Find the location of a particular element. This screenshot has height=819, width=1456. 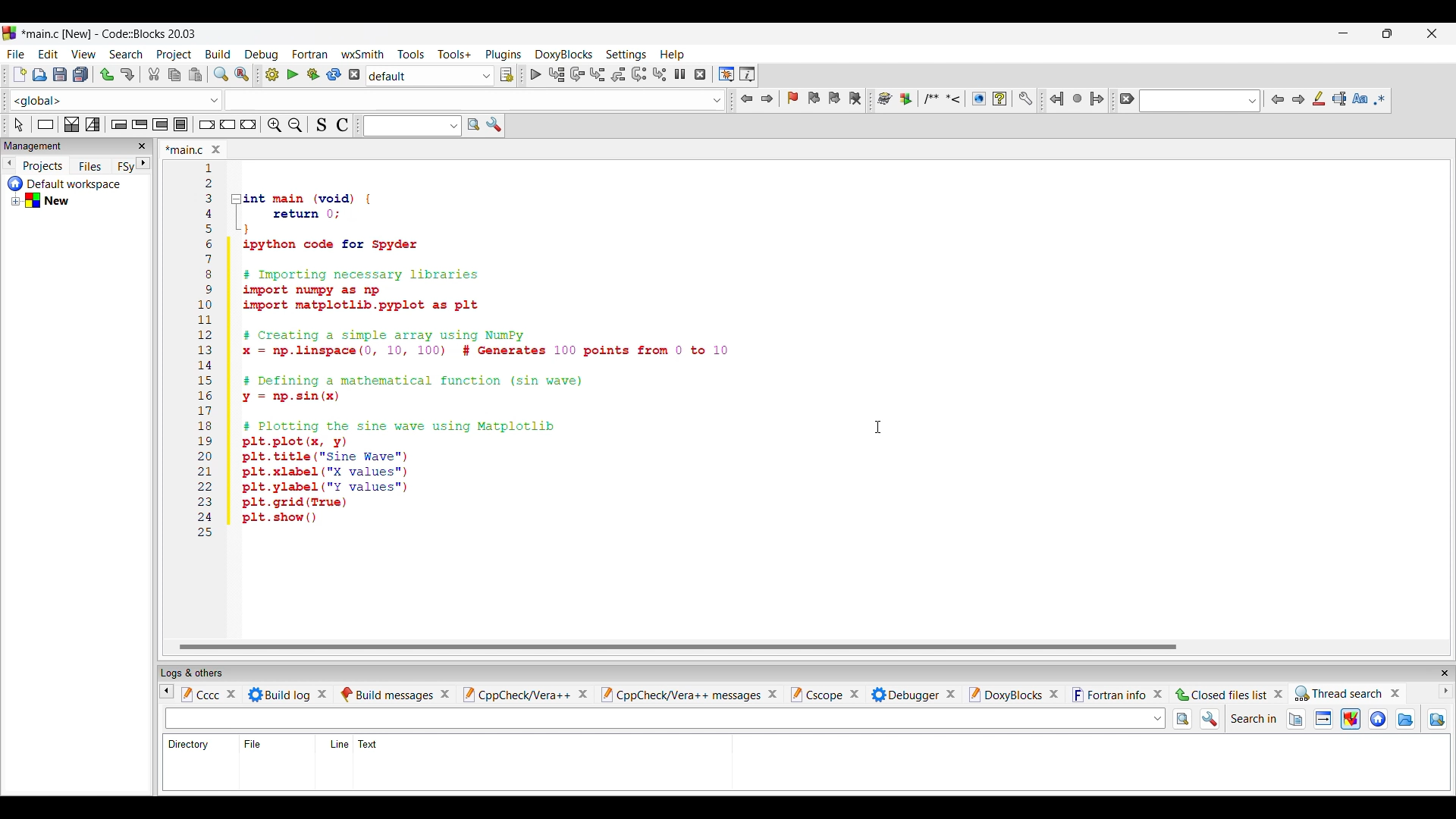

Plugins menu is located at coordinates (505, 53).